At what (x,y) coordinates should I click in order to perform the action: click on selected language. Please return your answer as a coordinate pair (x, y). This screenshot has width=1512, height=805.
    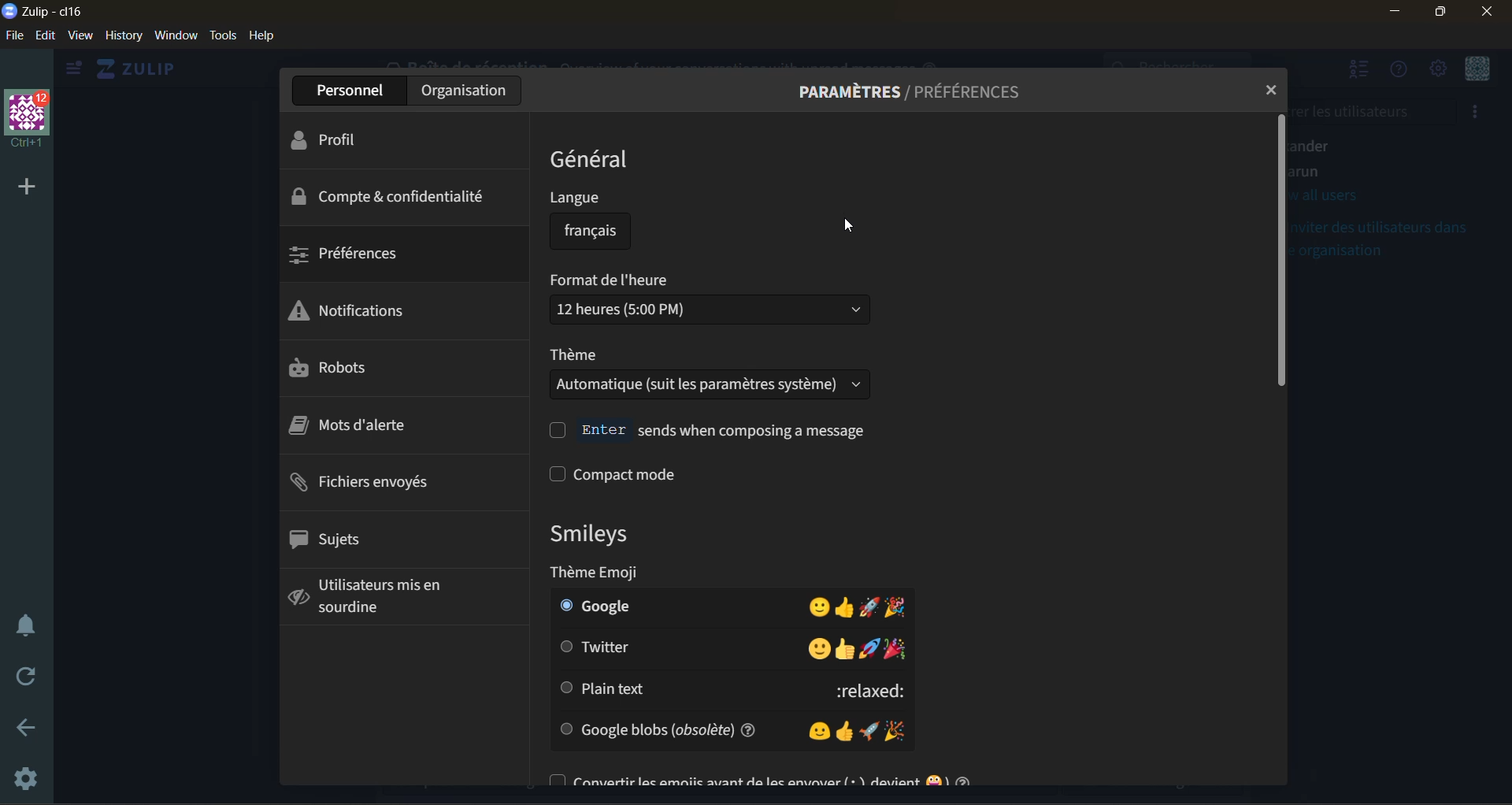
    Looking at the image, I should click on (581, 232).